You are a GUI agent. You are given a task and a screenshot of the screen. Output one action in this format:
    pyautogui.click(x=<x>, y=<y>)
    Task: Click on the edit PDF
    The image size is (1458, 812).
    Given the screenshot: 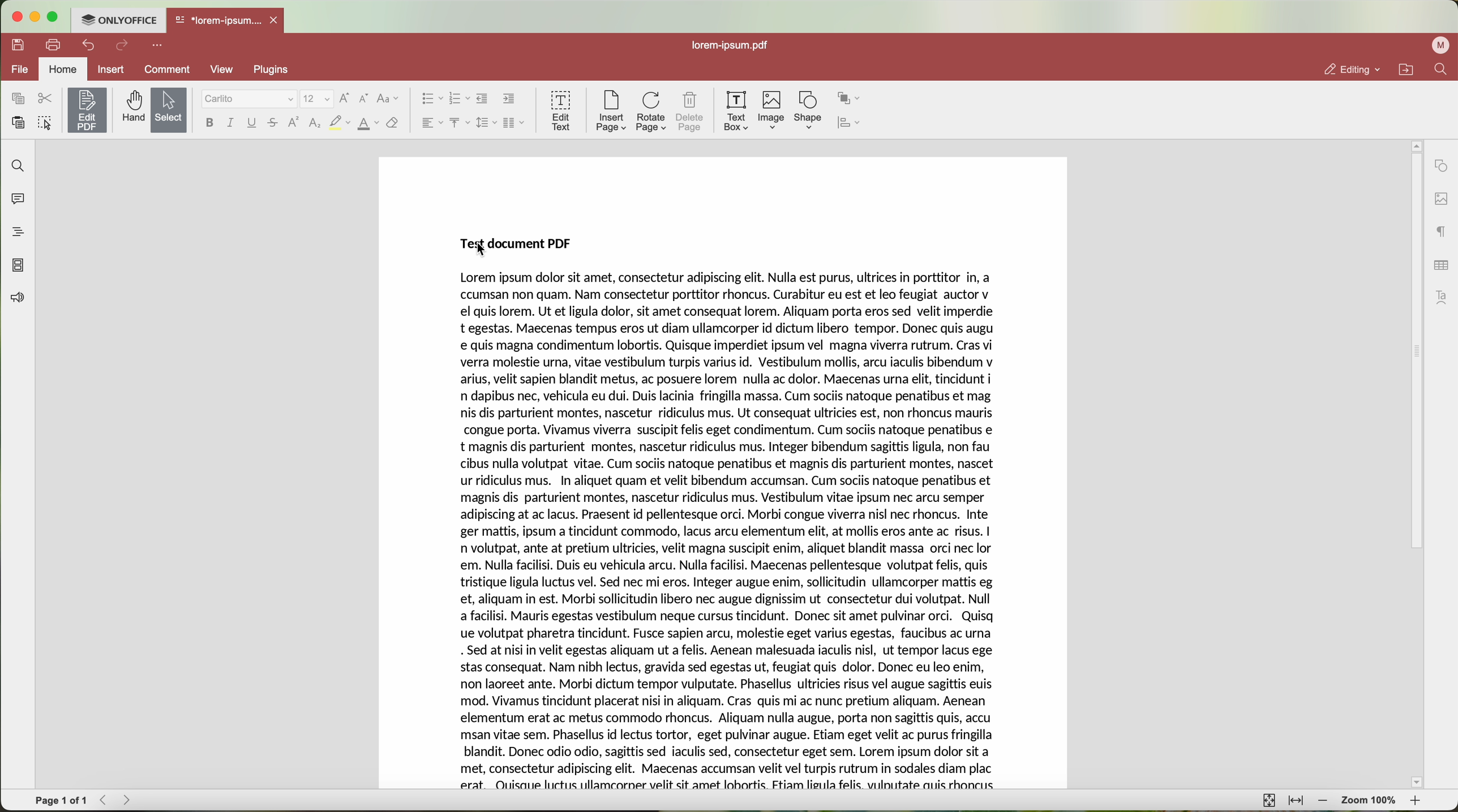 What is the action you would take?
    pyautogui.click(x=85, y=110)
    